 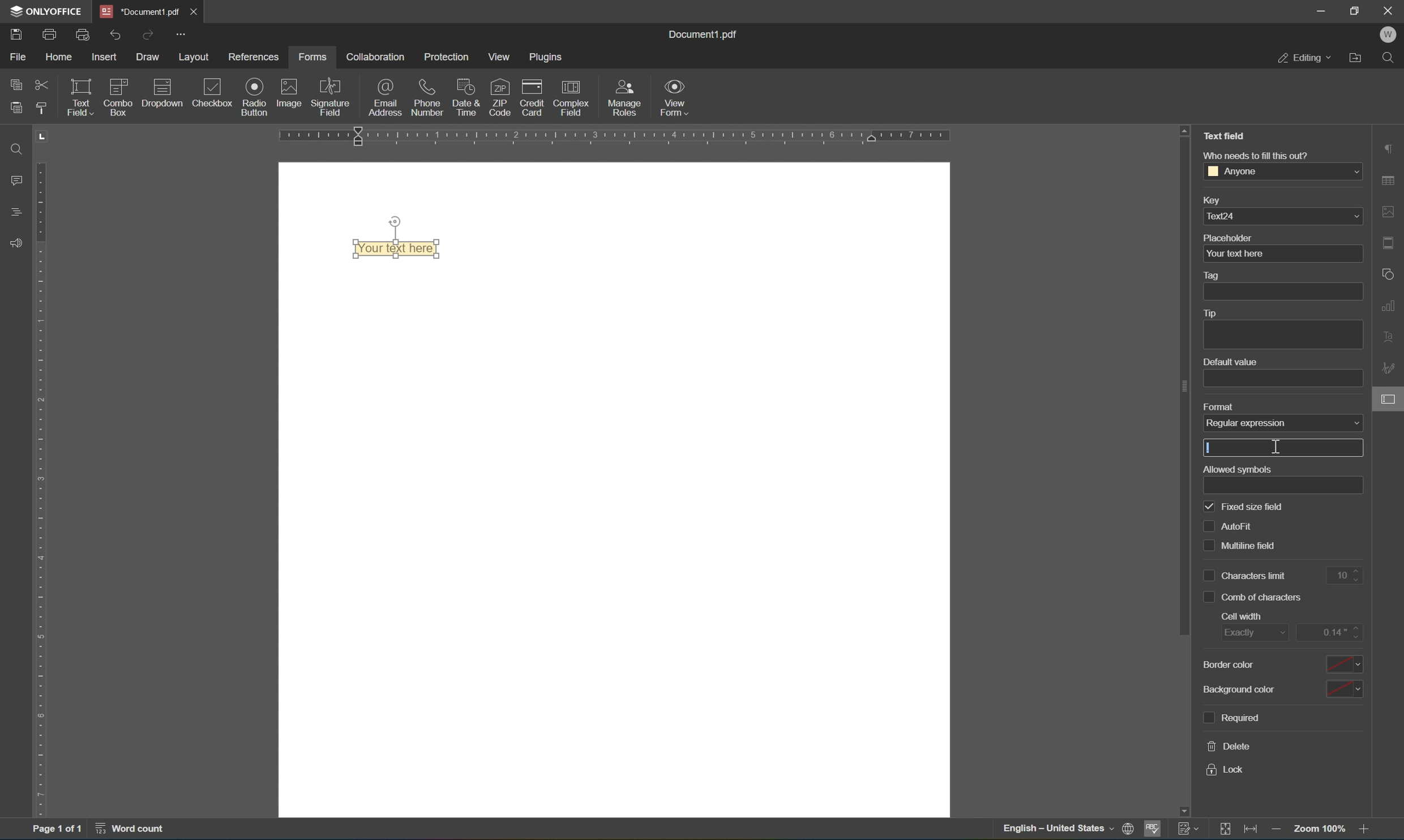 What do you see at coordinates (1232, 526) in the screenshot?
I see `autofit` at bounding box center [1232, 526].